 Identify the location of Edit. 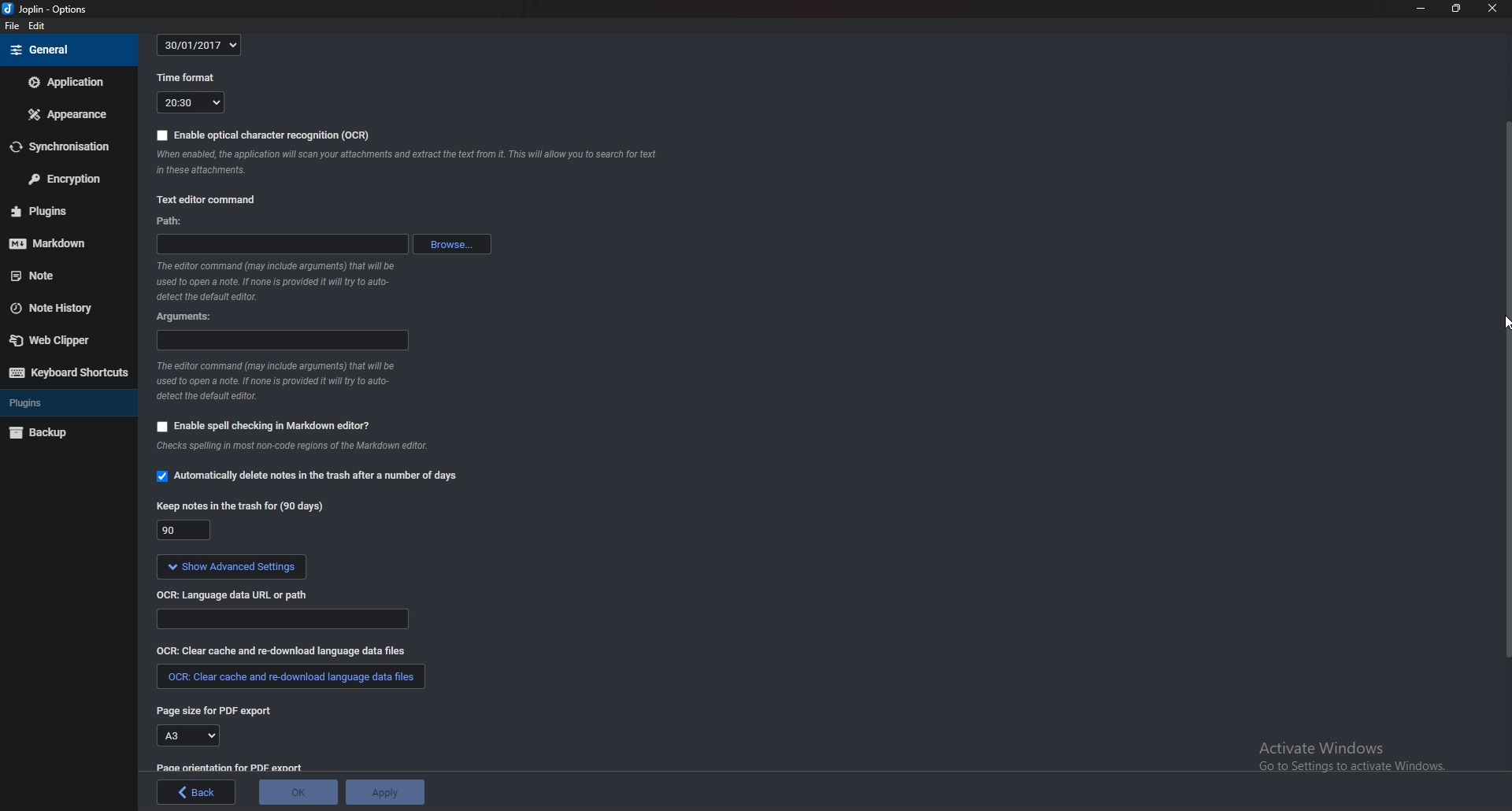
(36, 25).